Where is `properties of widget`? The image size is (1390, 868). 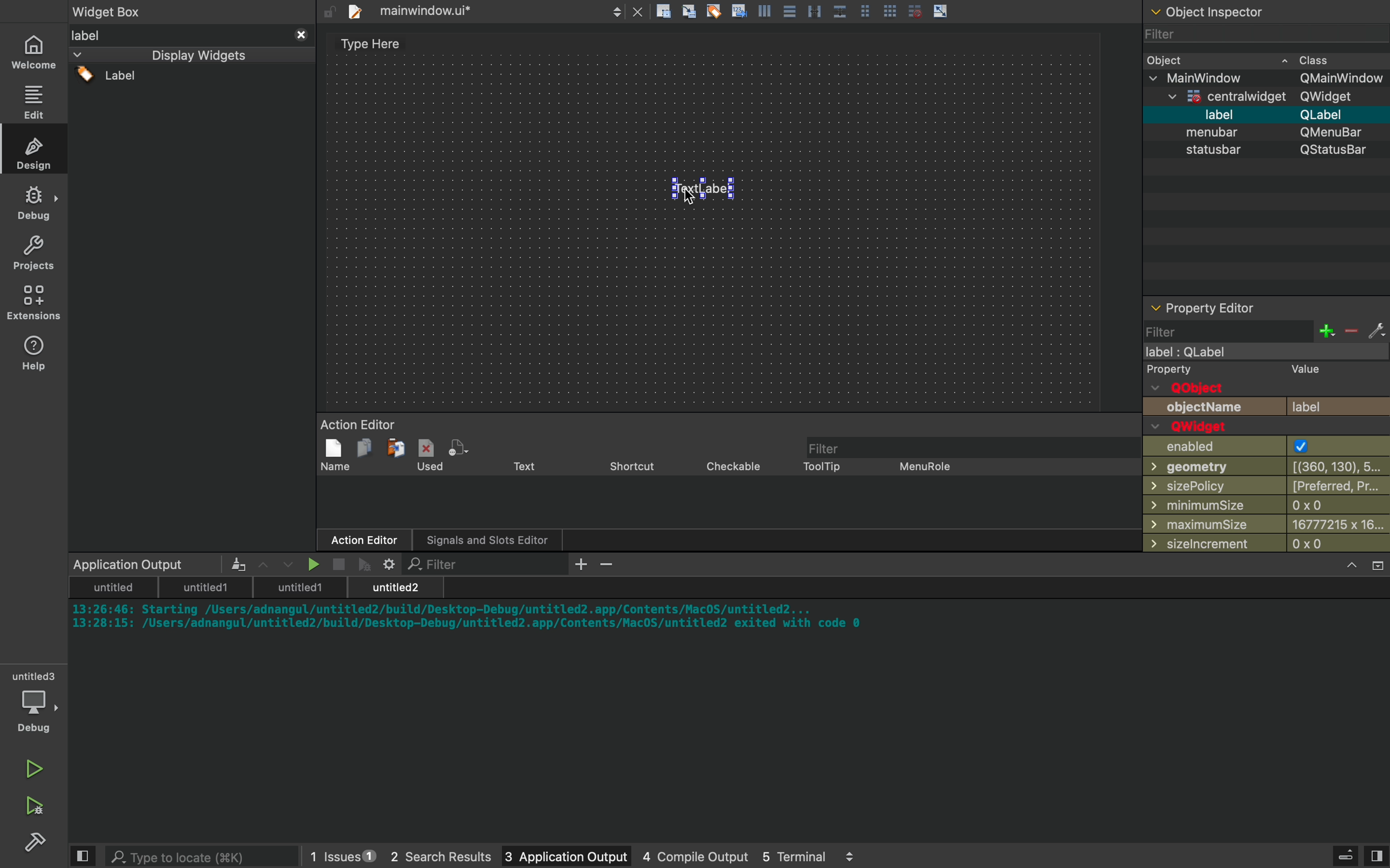 properties of widget is located at coordinates (1268, 427).